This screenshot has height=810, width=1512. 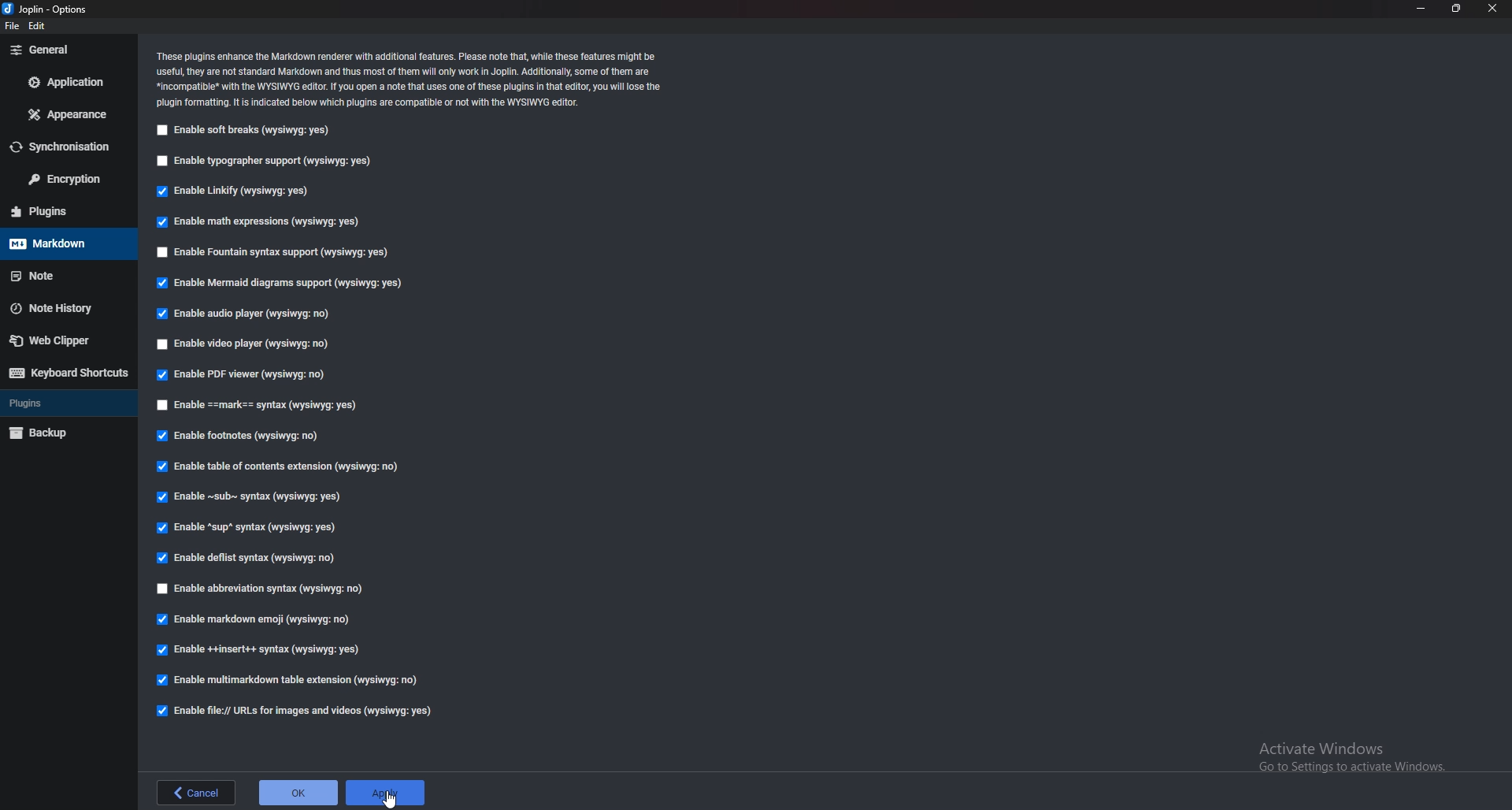 I want to click on Enable fountain syntax support, so click(x=273, y=253).